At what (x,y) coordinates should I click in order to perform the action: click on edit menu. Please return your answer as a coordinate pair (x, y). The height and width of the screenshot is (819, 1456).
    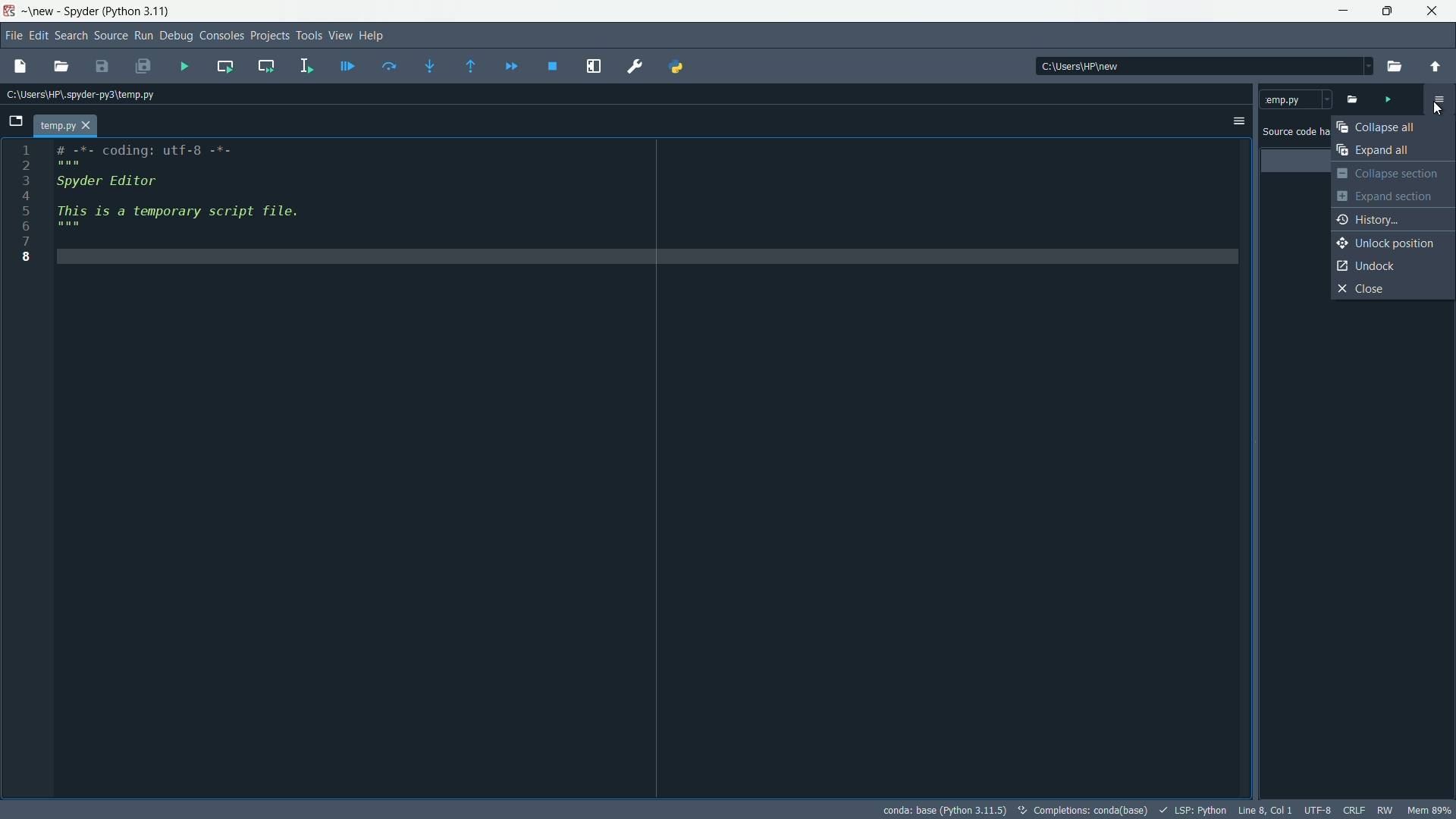
    Looking at the image, I should click on (39, 35).